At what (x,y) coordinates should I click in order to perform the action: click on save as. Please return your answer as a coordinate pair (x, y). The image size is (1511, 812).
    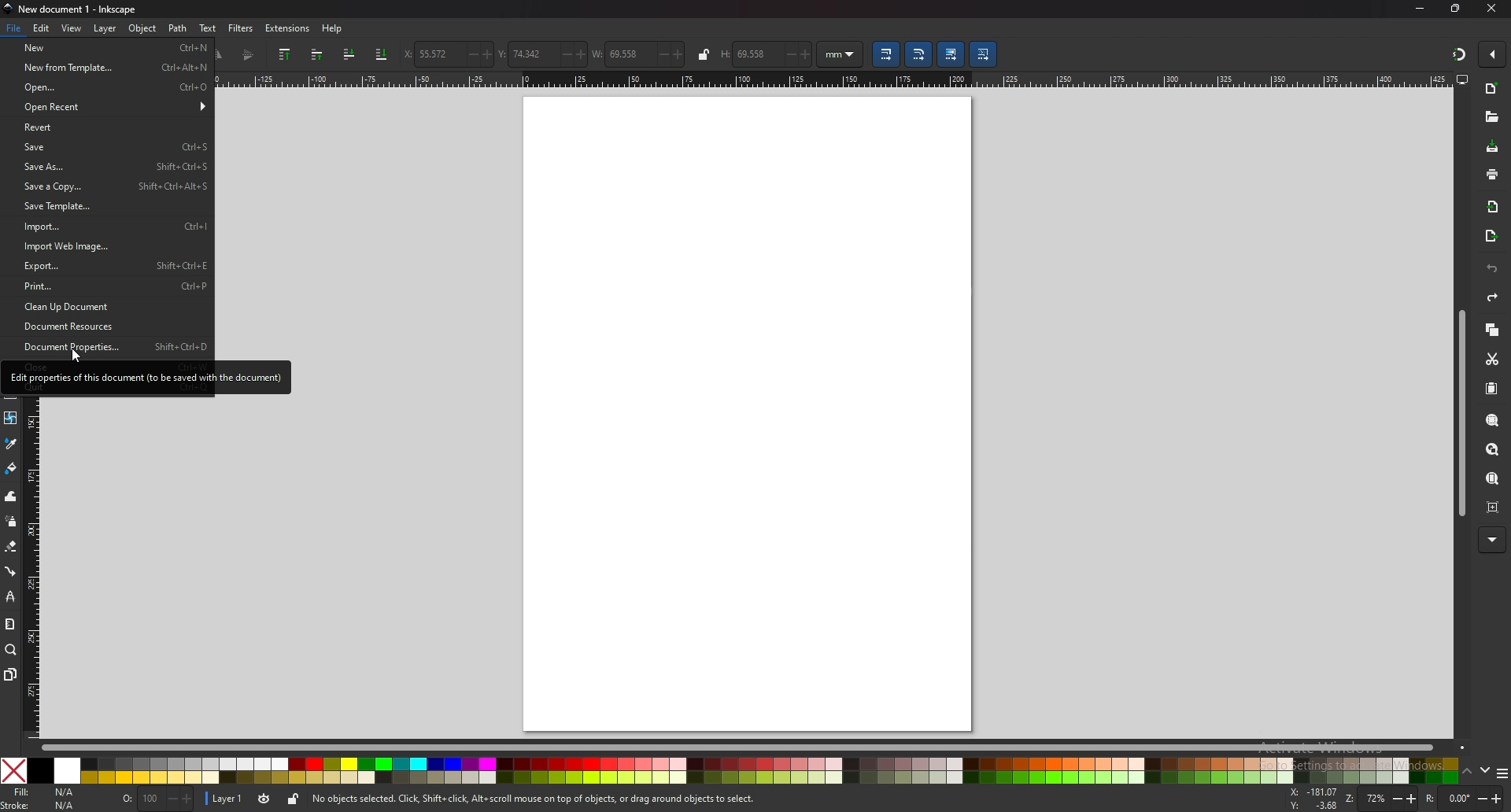
    Looking at the image, I should click on (110, 166).